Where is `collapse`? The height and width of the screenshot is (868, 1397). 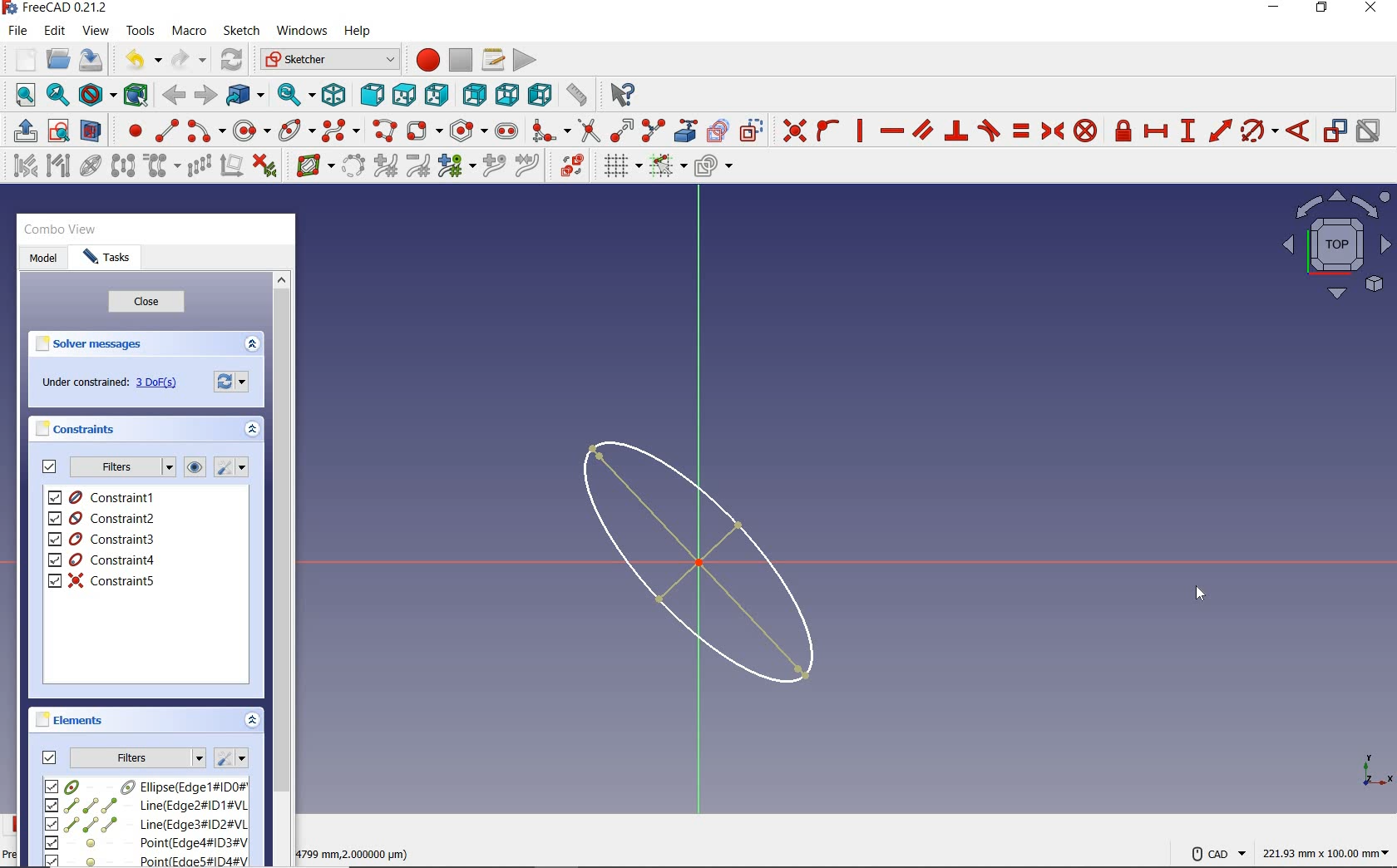
collapse is located at coordinates (253, 722).